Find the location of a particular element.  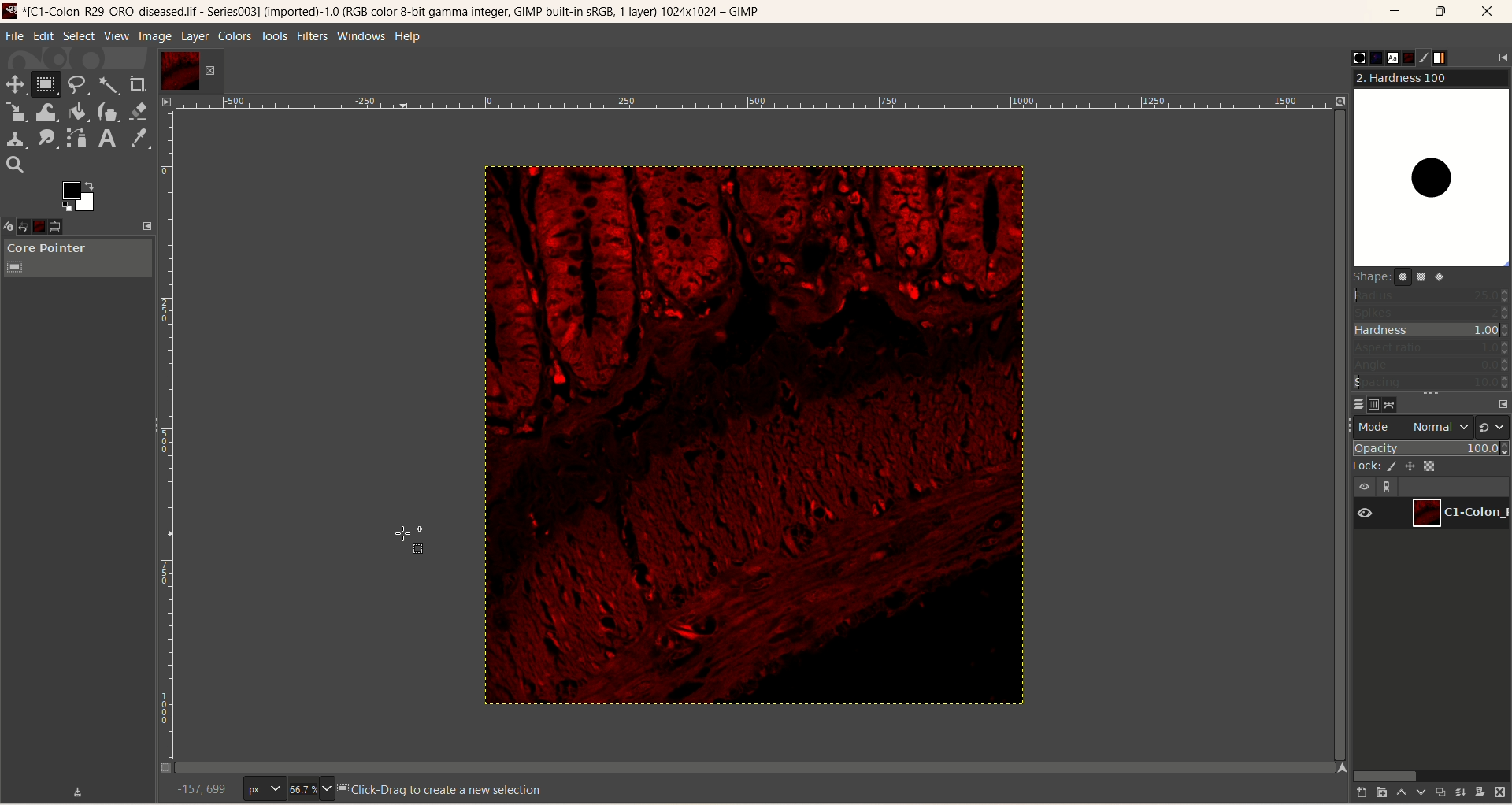

create a new layer with last used values is located at coordinates (1354, 793).